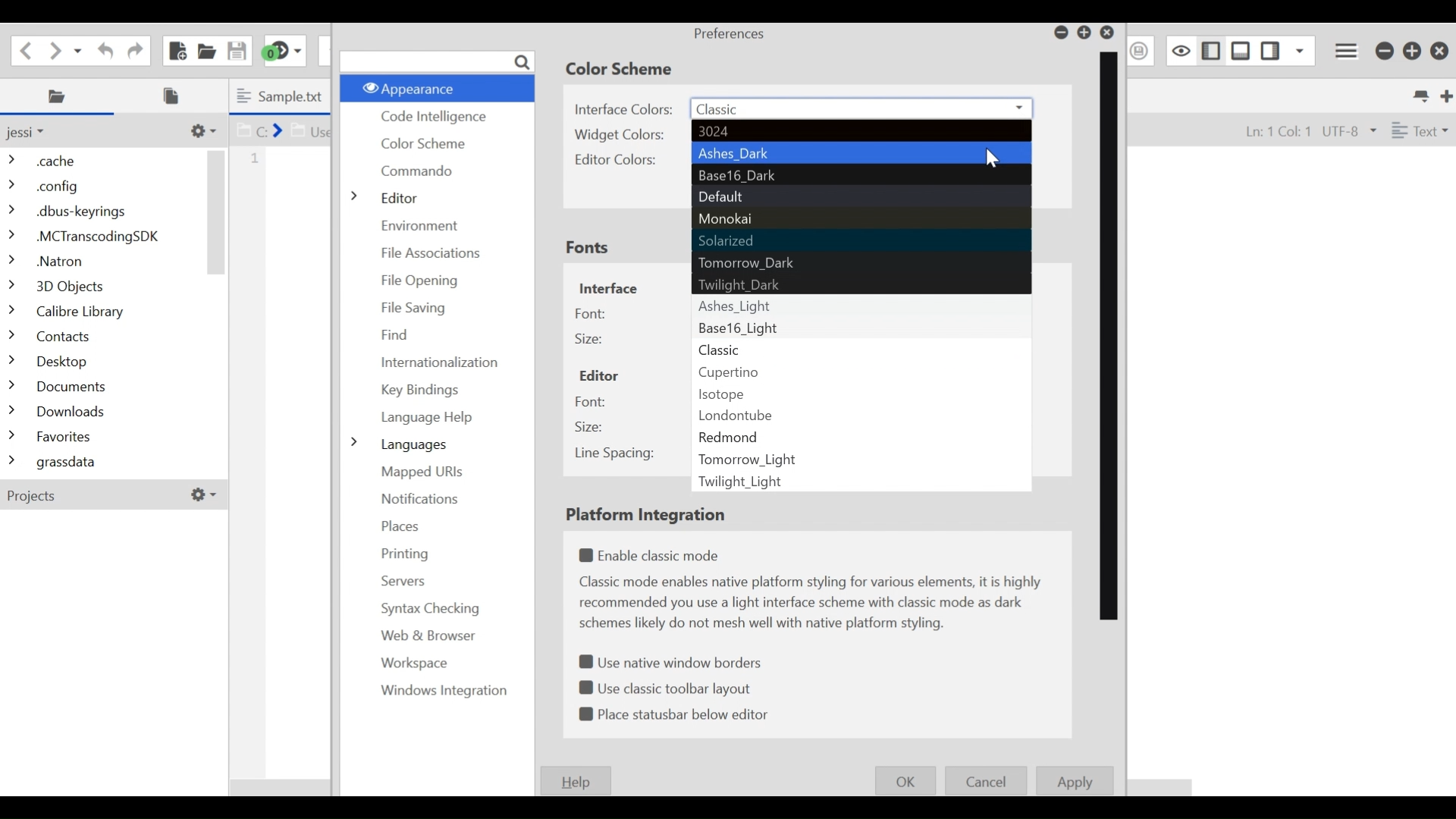  Describe the element at coordinates (1272, 50) in the screenshot. I see `Show/ Hide left Pane` at that location.